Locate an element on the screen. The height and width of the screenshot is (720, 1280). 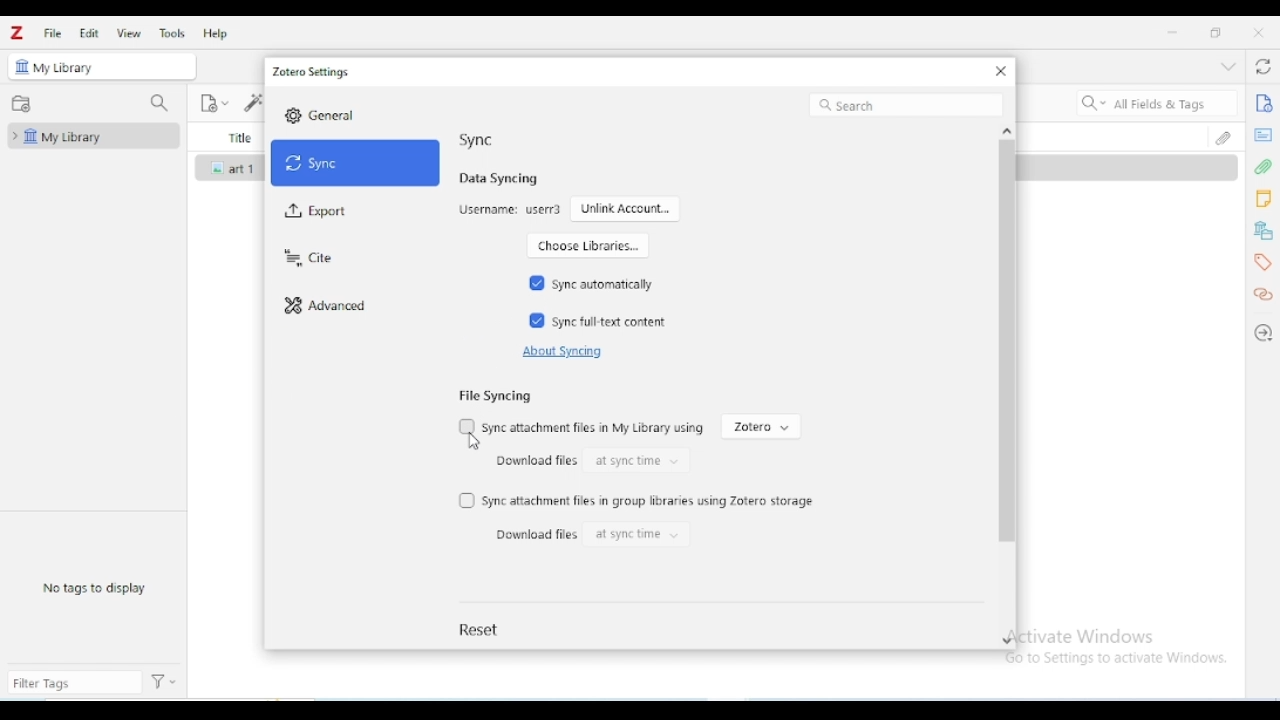
add item(s) by identifier is located at coordinates (251, 102).